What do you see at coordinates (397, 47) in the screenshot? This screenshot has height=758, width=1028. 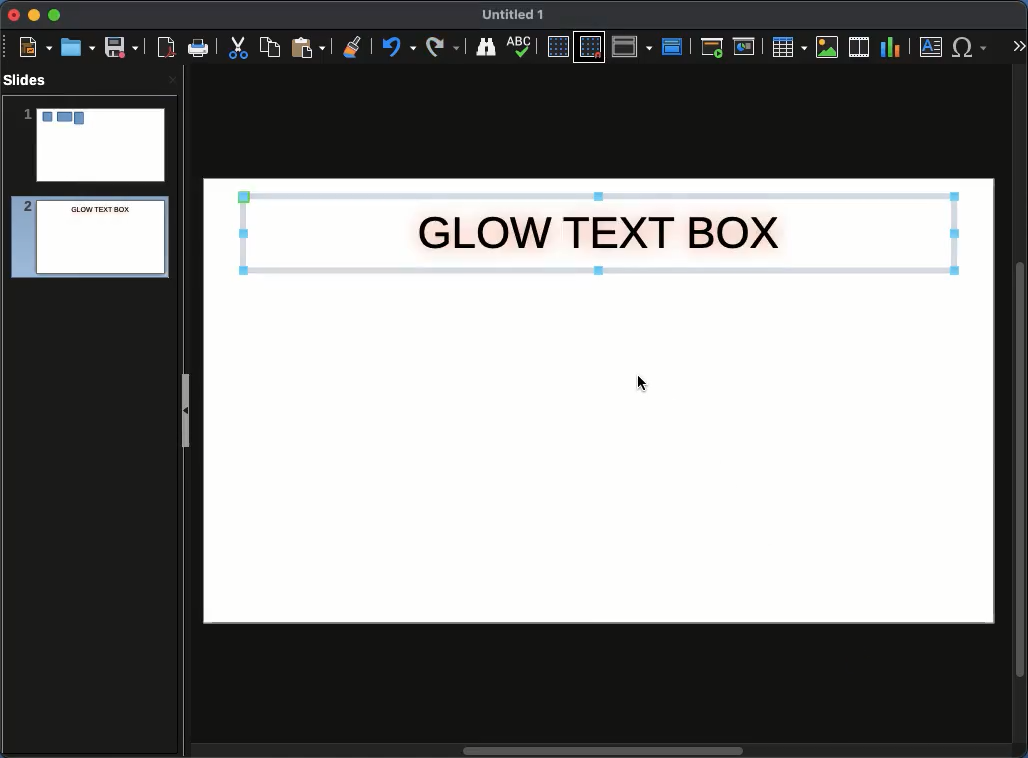 I see `Undo` at bounding box center [397, 47].